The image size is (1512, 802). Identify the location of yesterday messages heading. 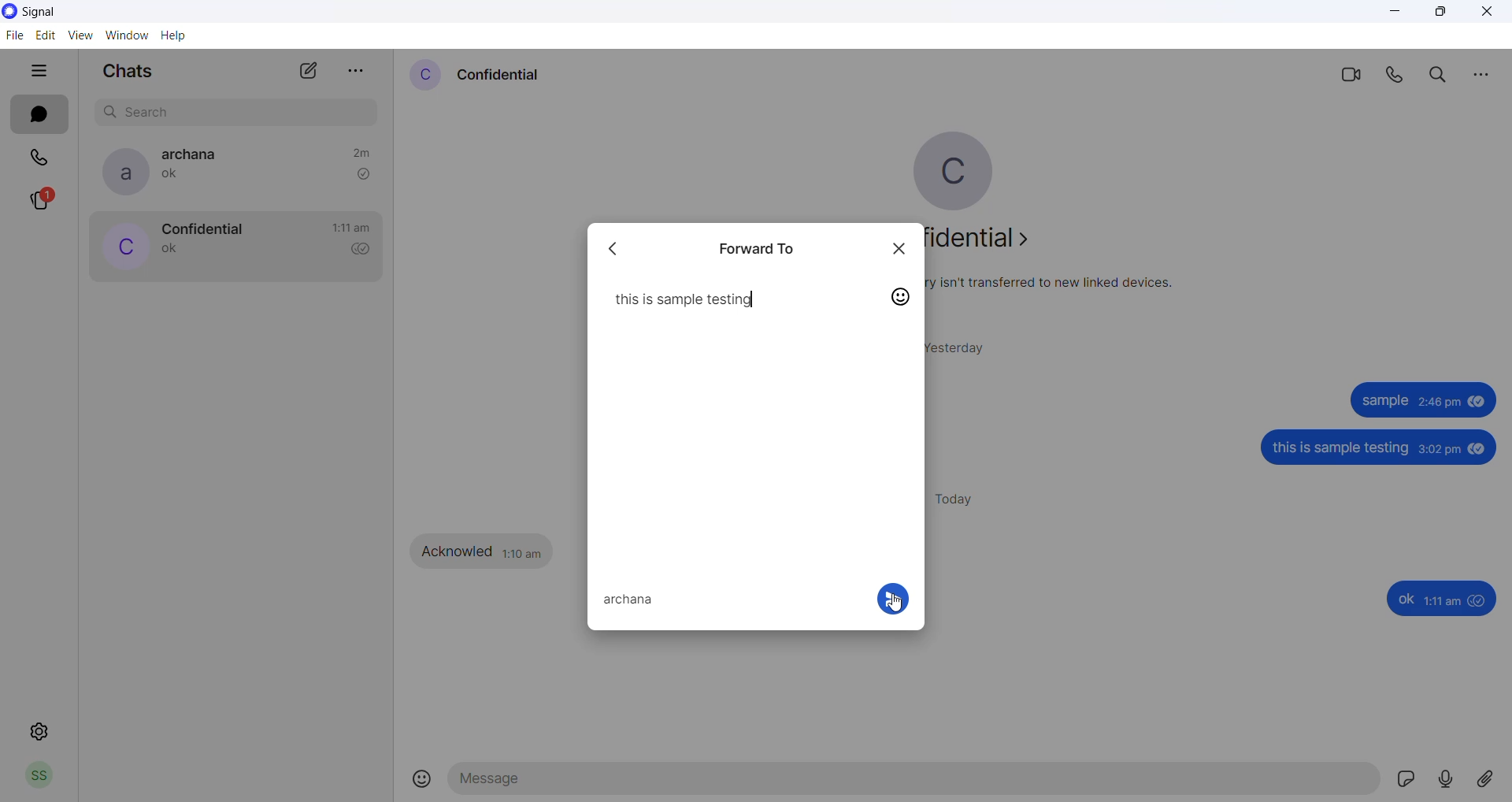
(965, 343).